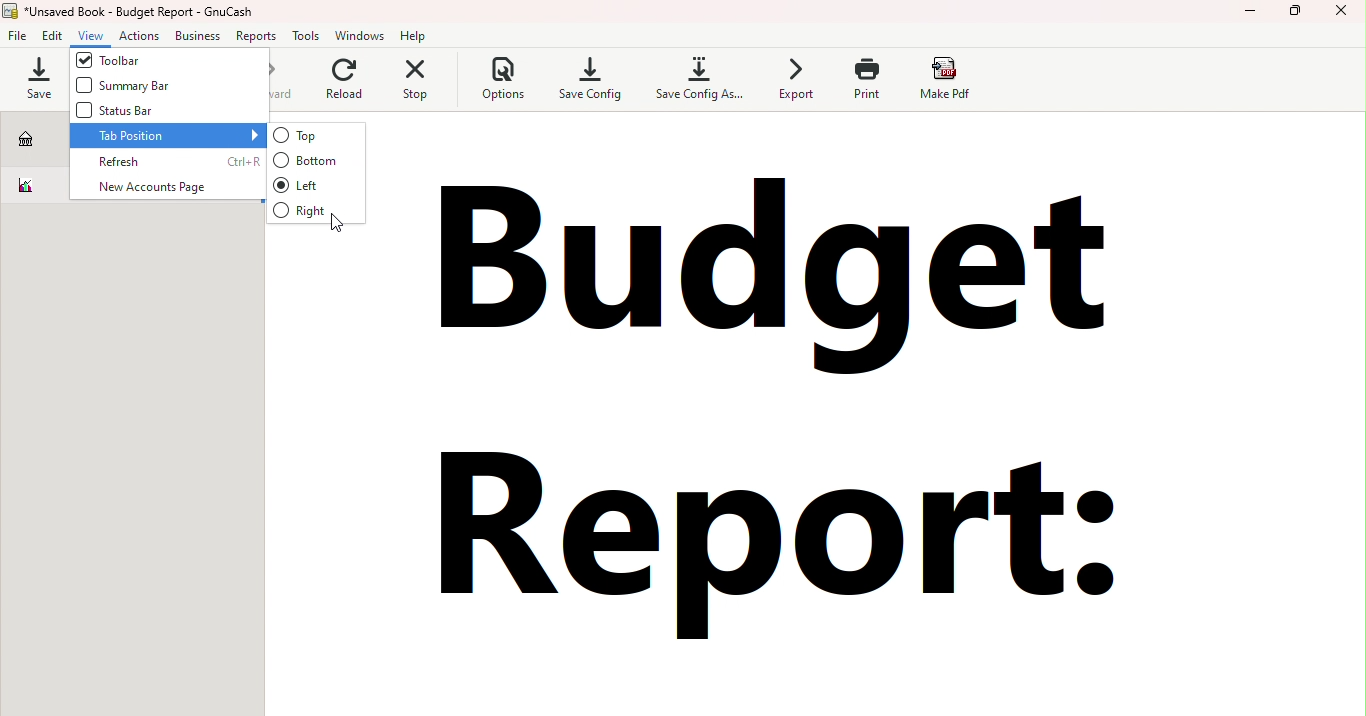 Image resolution: width=1366 pixels, height=716 pixels. I want to click on Windows, so click(360, 38).